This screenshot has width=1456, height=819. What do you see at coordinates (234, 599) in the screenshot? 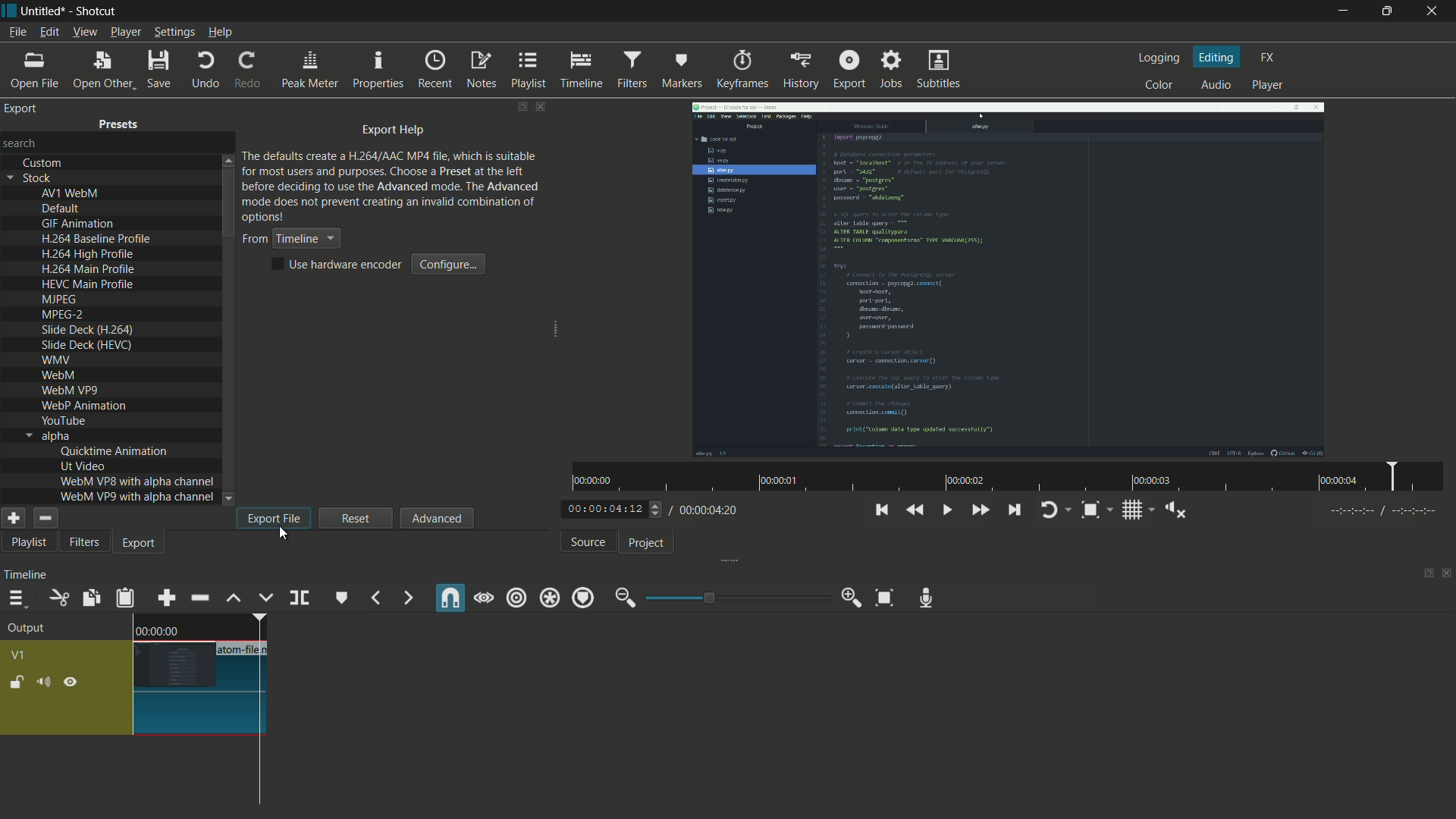
I see `lift` at bounding box center [234, 599].